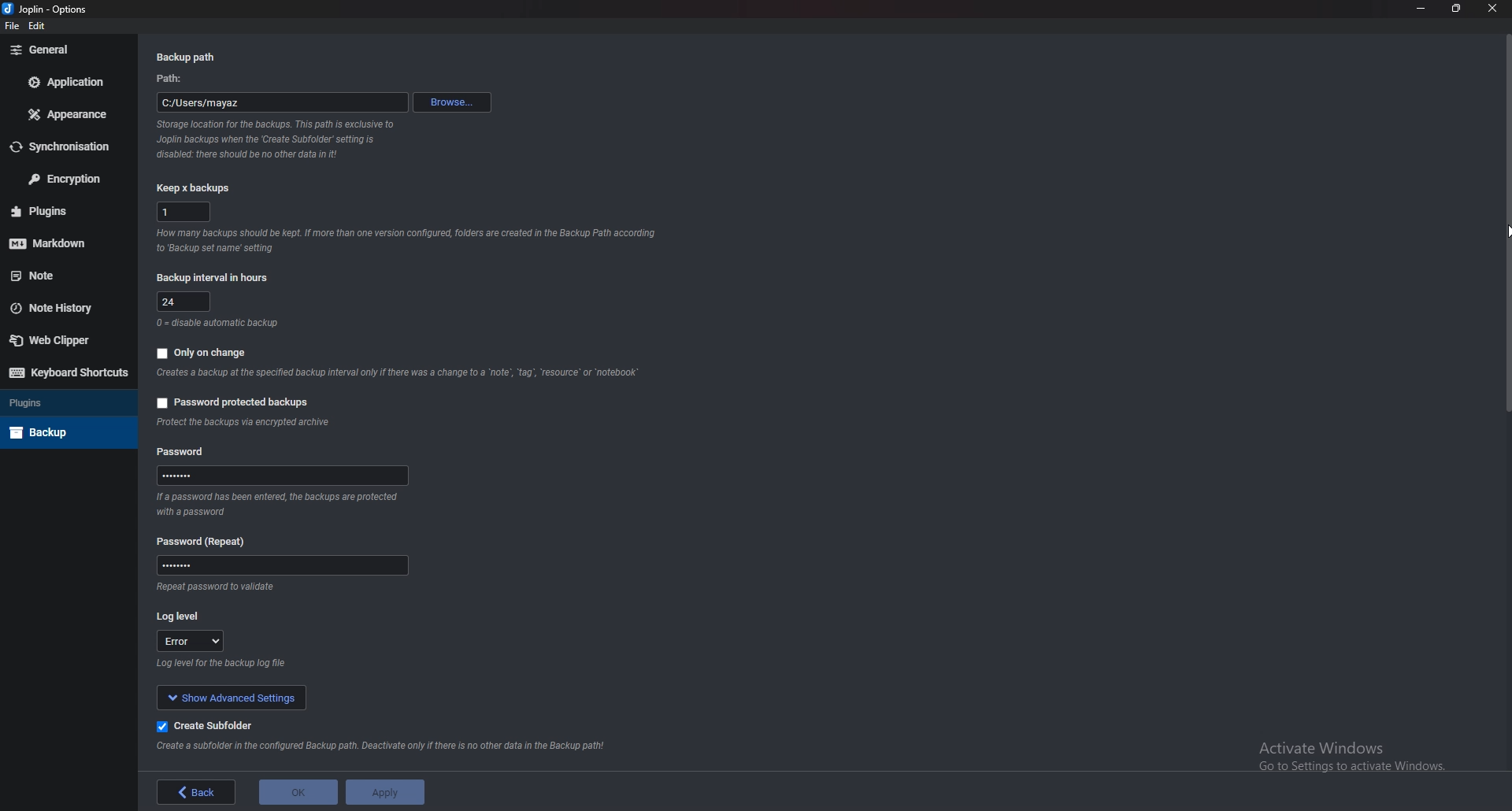  Describe the element at coordinates (236, 404) in the screenshot. I see `Password protected backups` at that location.